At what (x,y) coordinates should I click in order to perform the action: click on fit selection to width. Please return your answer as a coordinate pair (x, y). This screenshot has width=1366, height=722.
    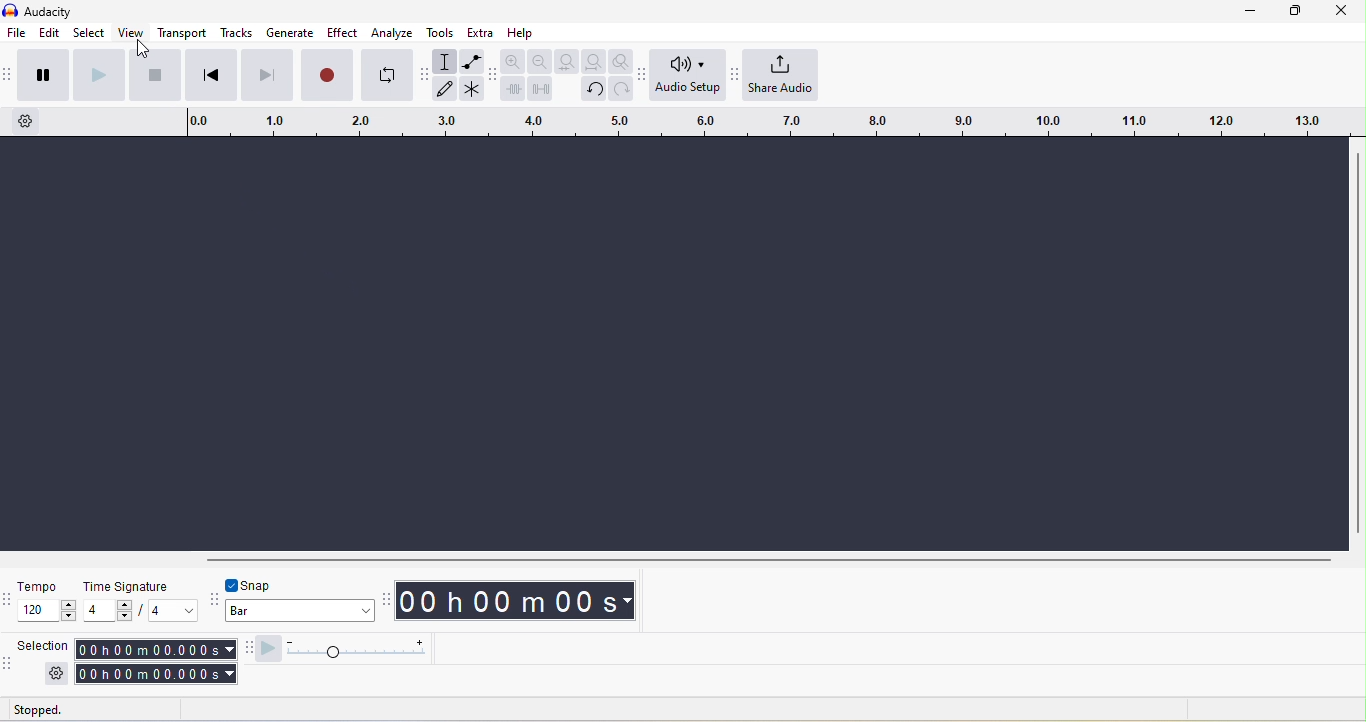
    Looking at the image, I should click on (567, 61).